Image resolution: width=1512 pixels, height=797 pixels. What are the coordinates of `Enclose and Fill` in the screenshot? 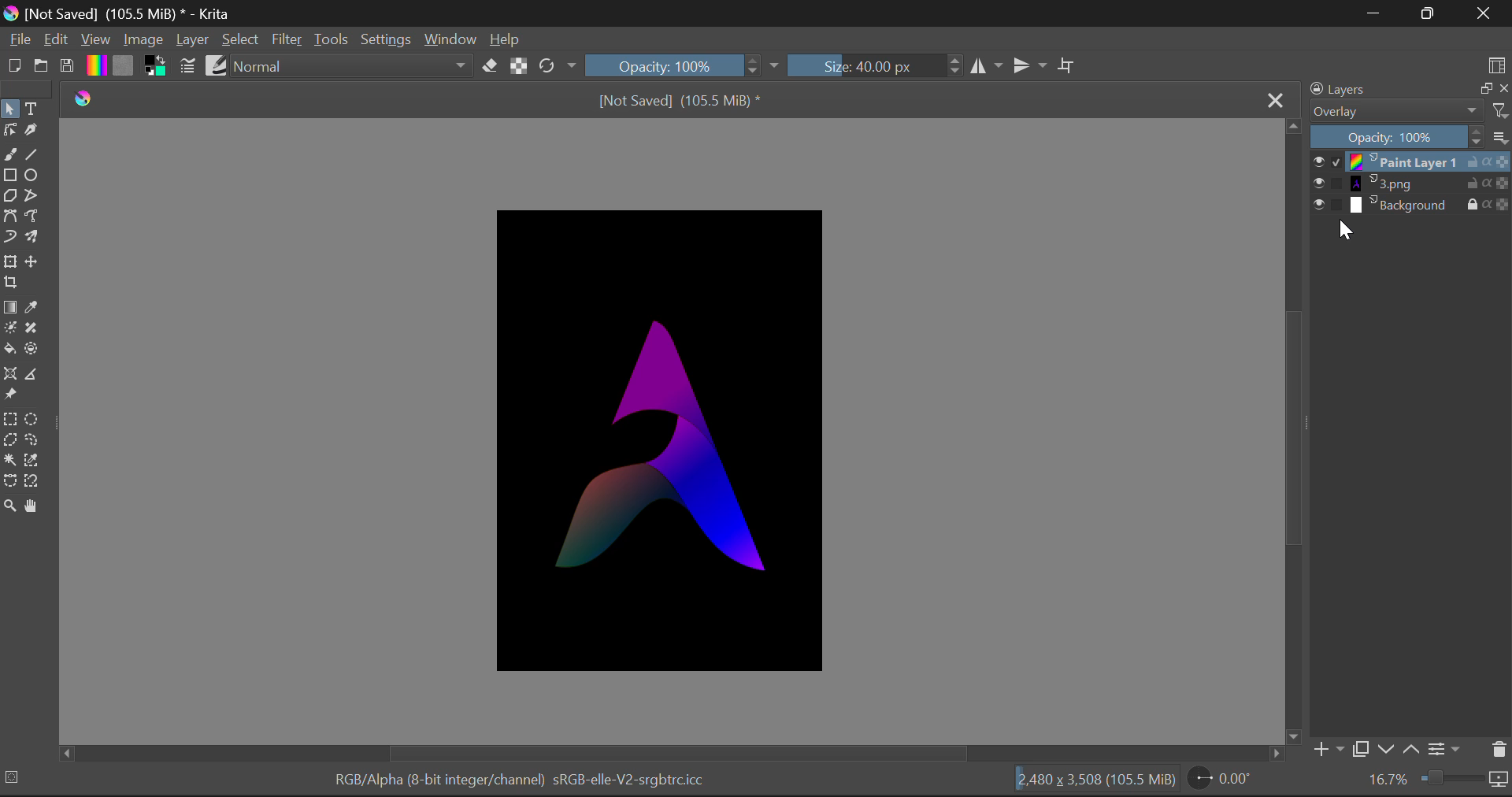 It's located at (31, 348).